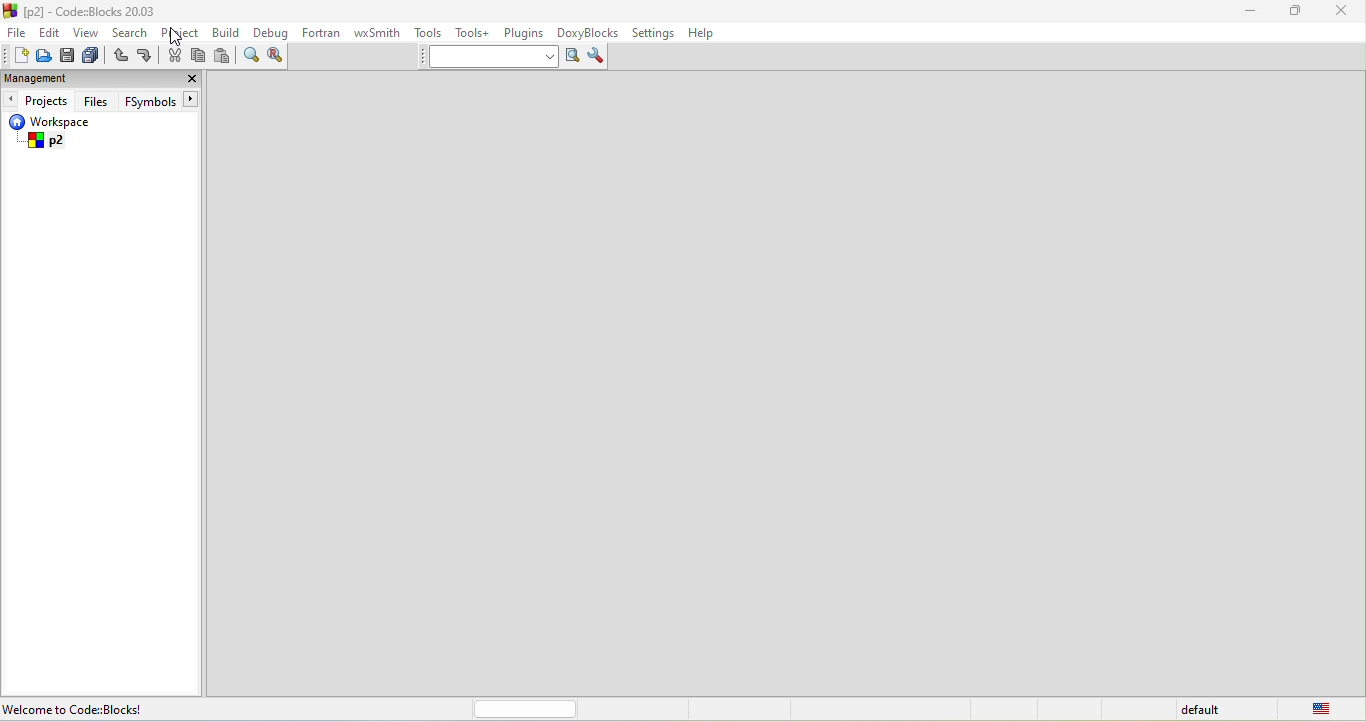  Describe the element at coordinates (184, 33) in the screenshot. I see `project` at that location.